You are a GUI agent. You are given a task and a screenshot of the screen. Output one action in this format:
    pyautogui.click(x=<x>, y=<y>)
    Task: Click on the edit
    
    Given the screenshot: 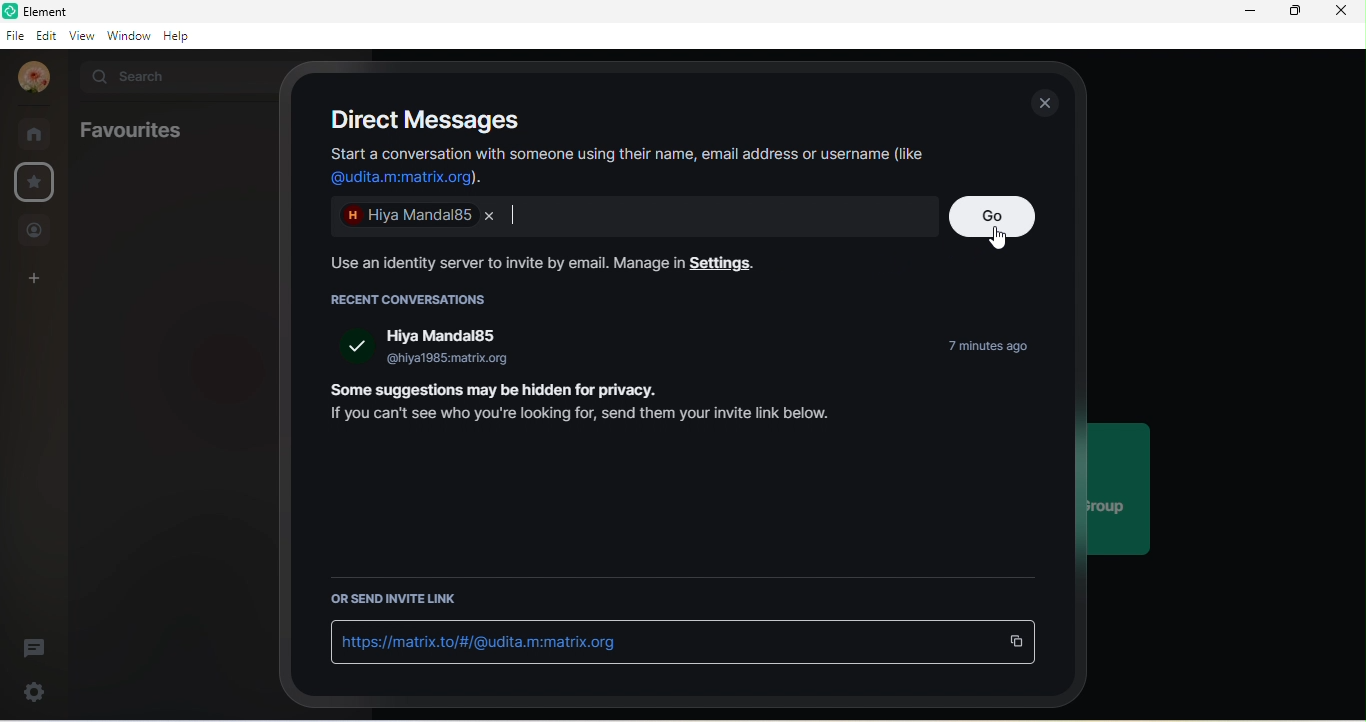 What is the action you would take?
    pyautogui.click(x=47, y=35)
    